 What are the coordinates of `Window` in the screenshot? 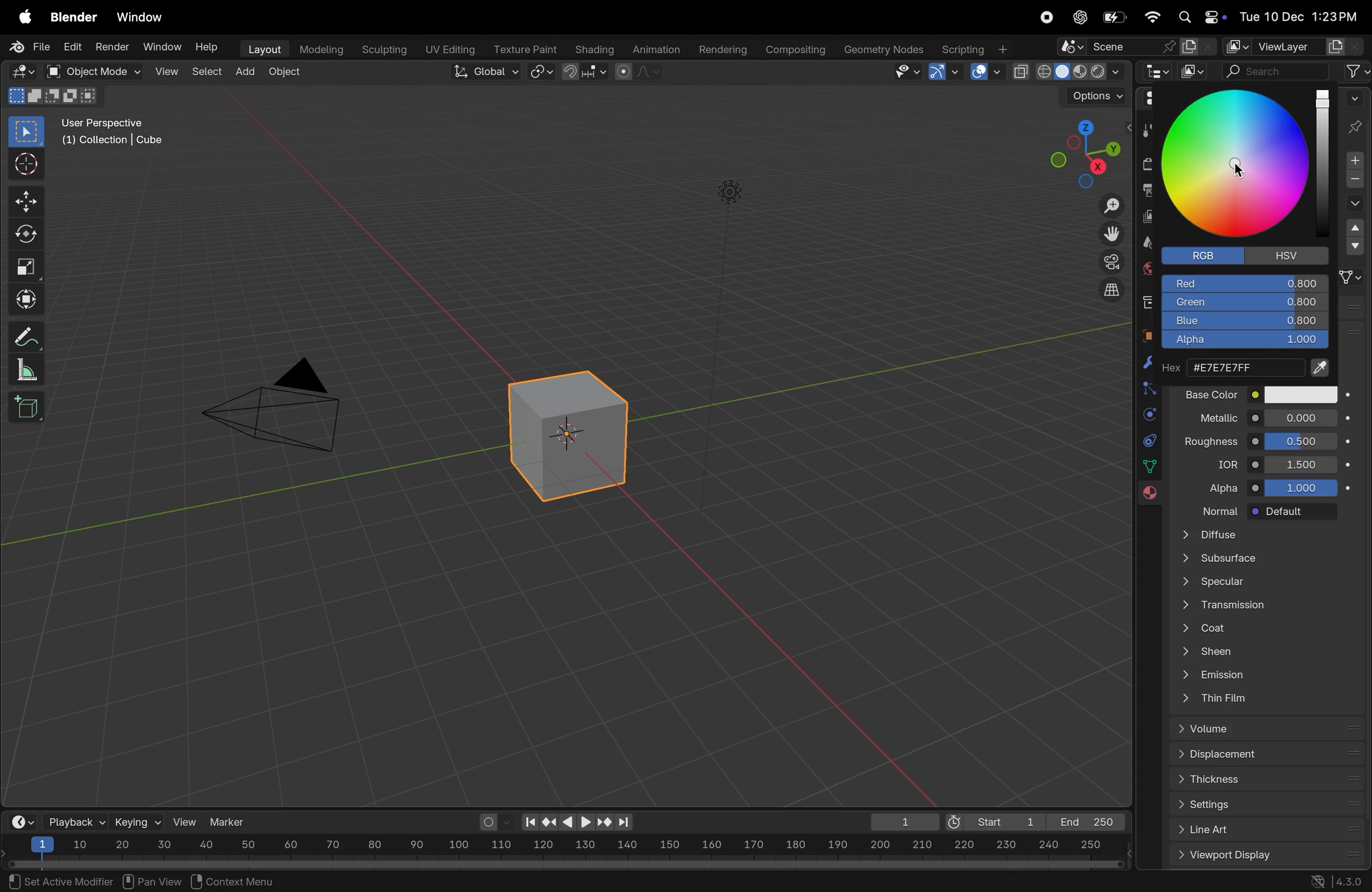 It's located at (163, 47).